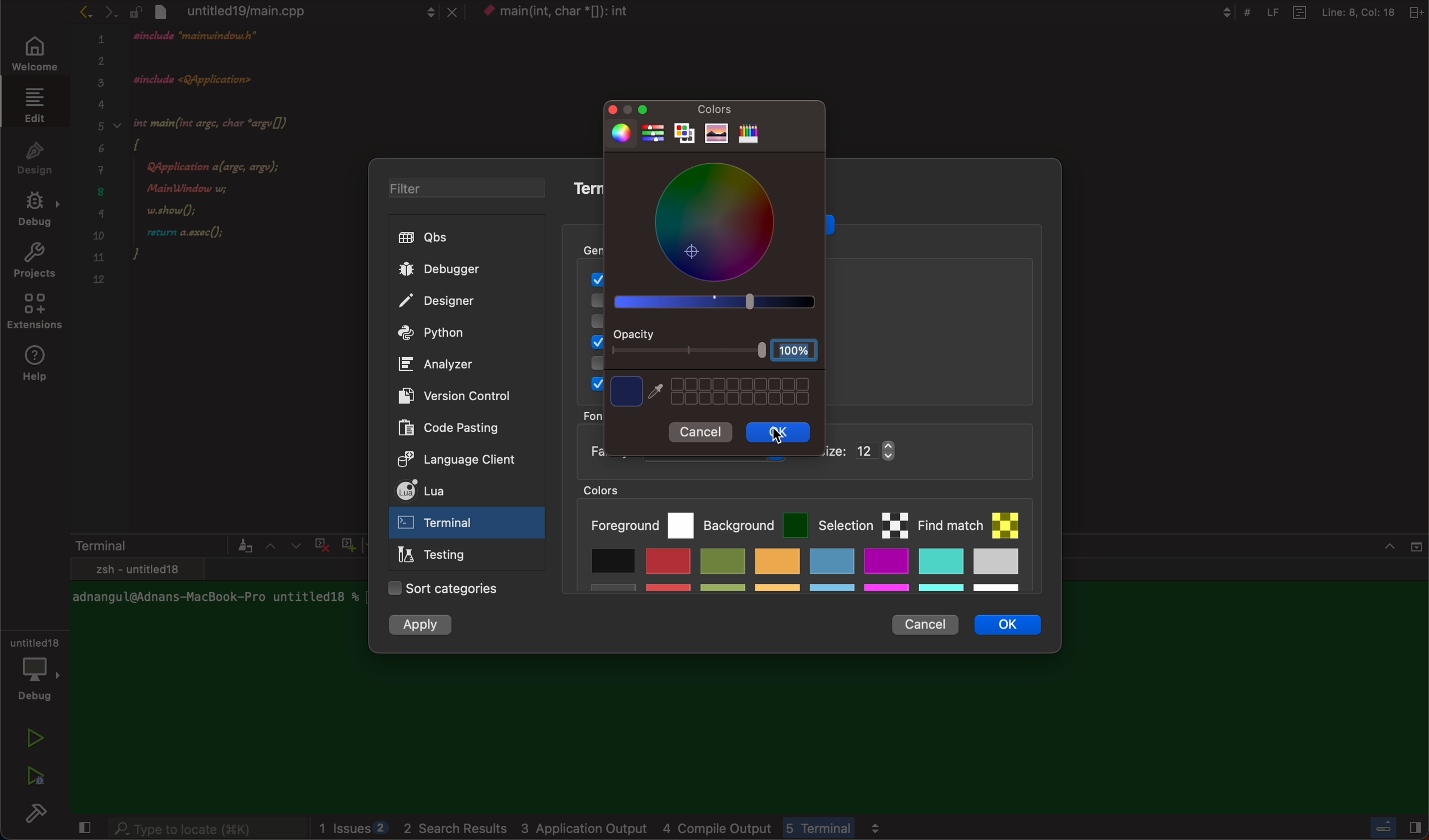 The image size is (1429, 840). Describe the element at coordinates (36, 315) in the screenshot. I see `extensions` at that location.